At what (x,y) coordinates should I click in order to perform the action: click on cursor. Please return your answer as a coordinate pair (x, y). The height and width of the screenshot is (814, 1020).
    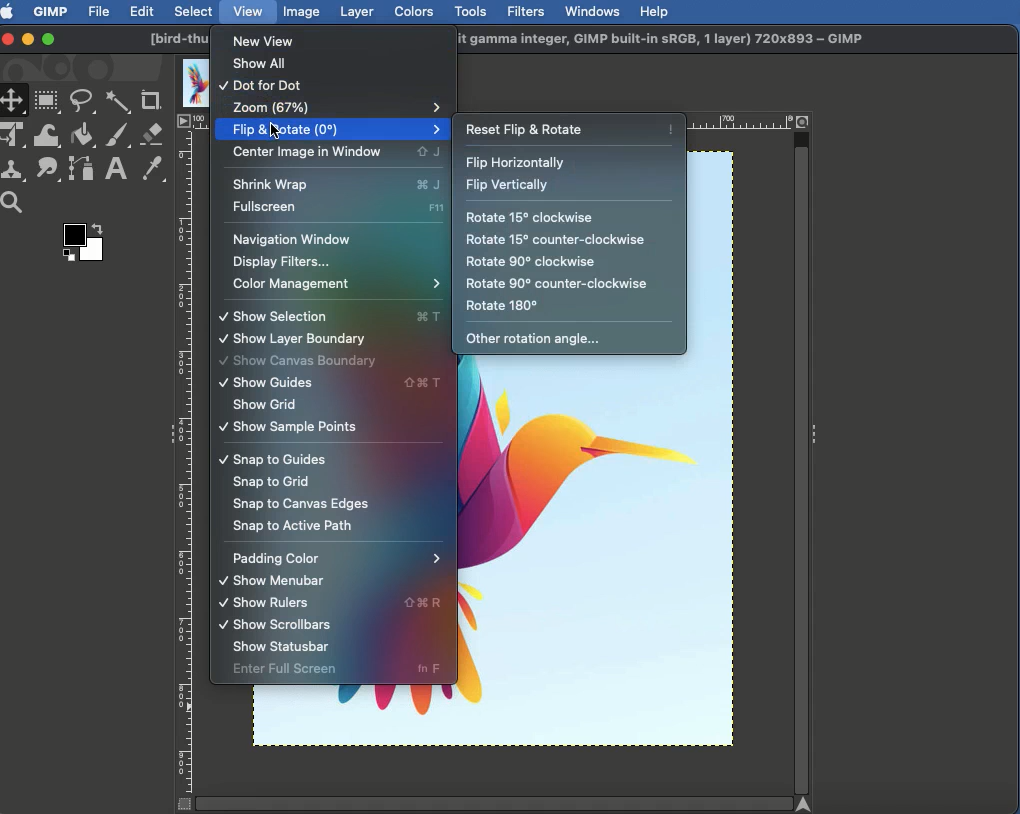
    Looking at the image, I should click on (281, 135).